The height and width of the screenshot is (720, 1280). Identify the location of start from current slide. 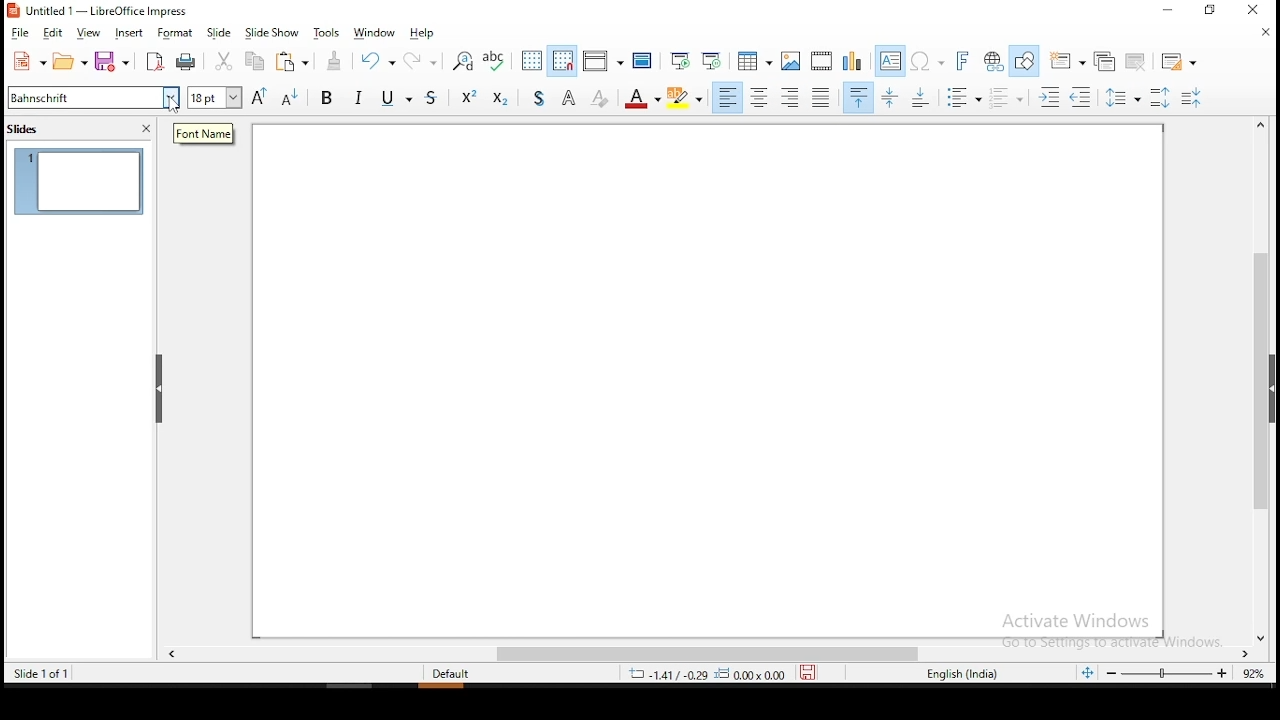
(714, 60).